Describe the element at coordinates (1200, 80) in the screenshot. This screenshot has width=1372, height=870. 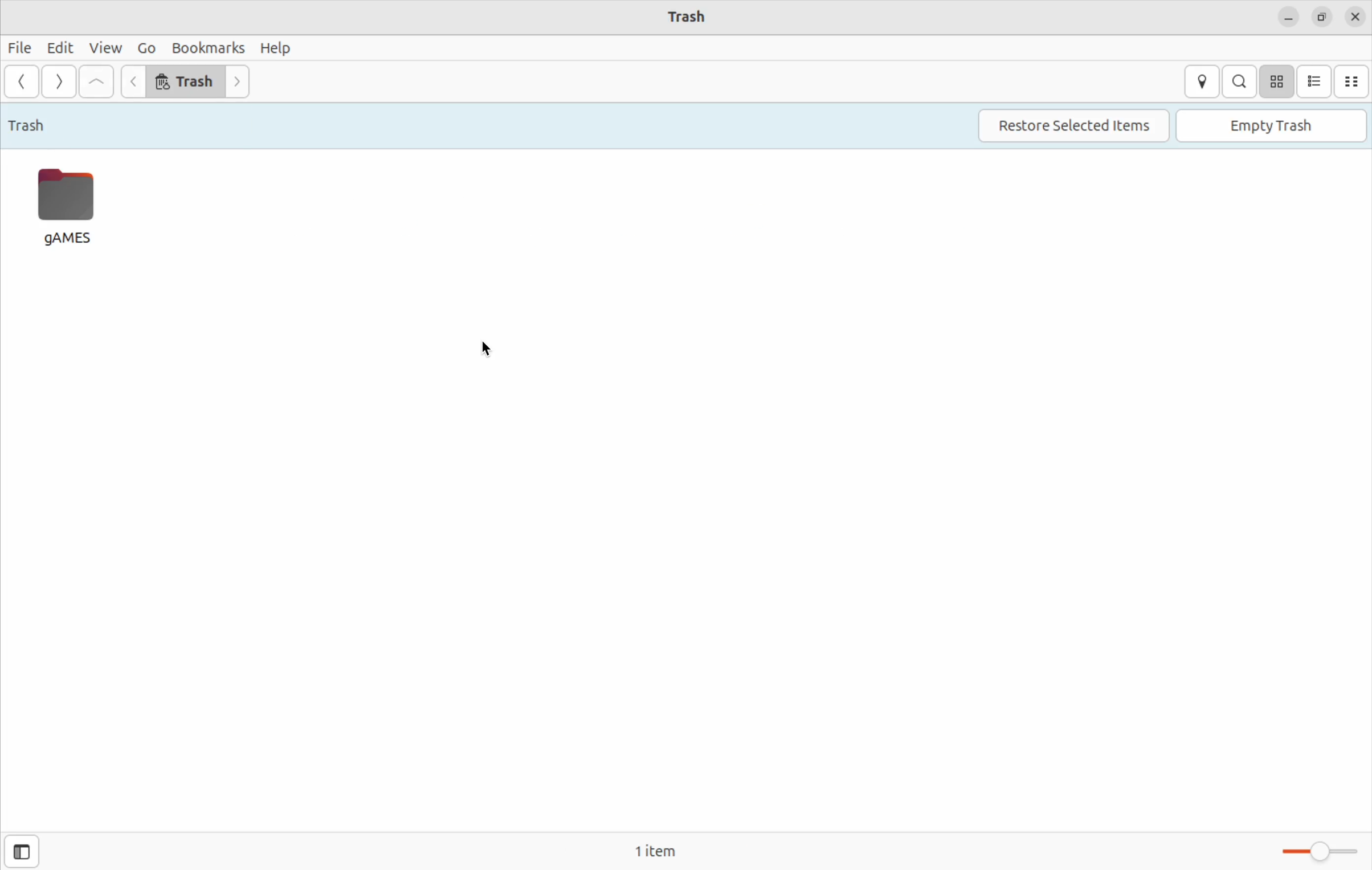
I see `location ` at that location.